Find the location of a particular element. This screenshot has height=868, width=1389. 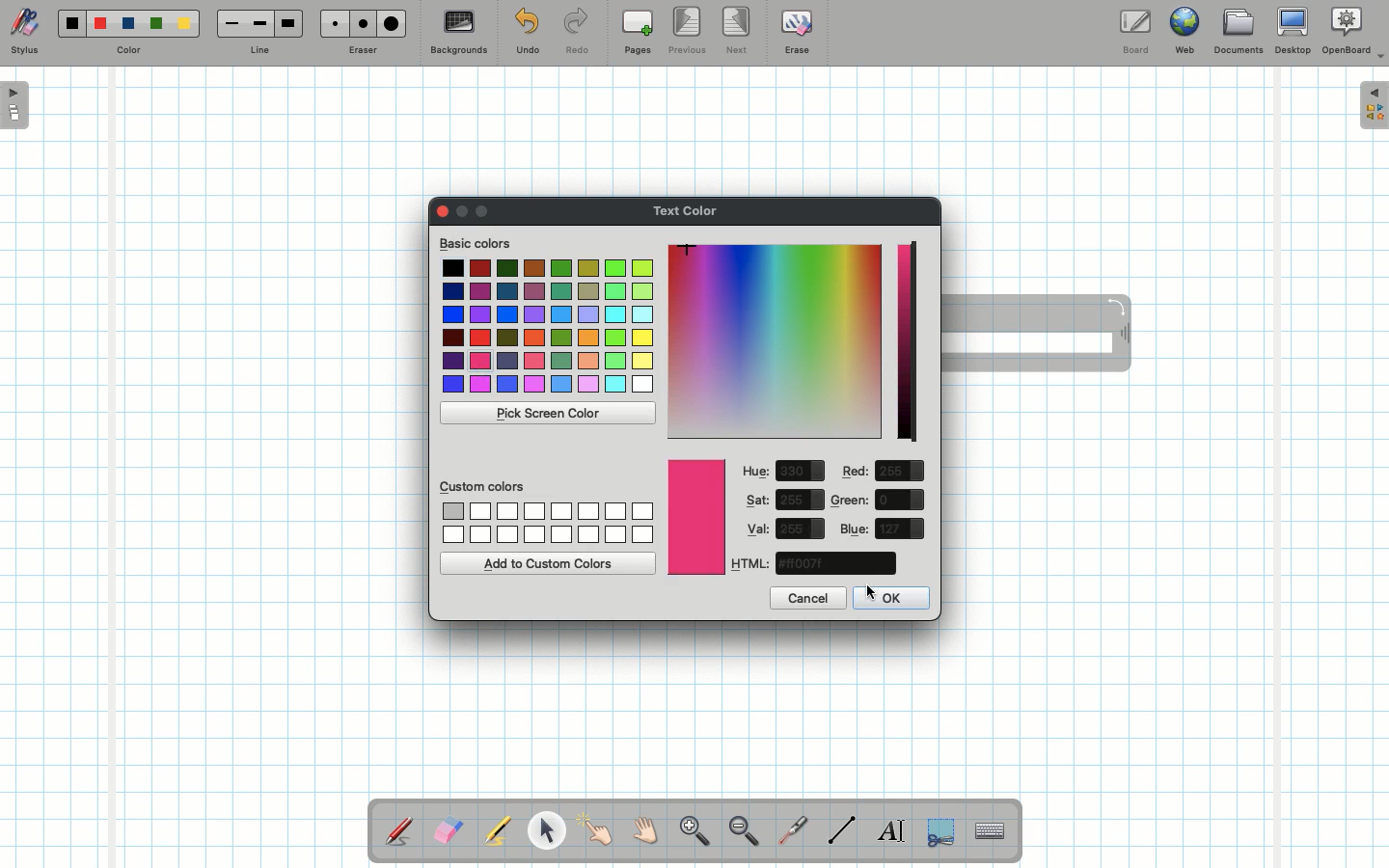

OpenBoard is located at coordinates (1353, 31).